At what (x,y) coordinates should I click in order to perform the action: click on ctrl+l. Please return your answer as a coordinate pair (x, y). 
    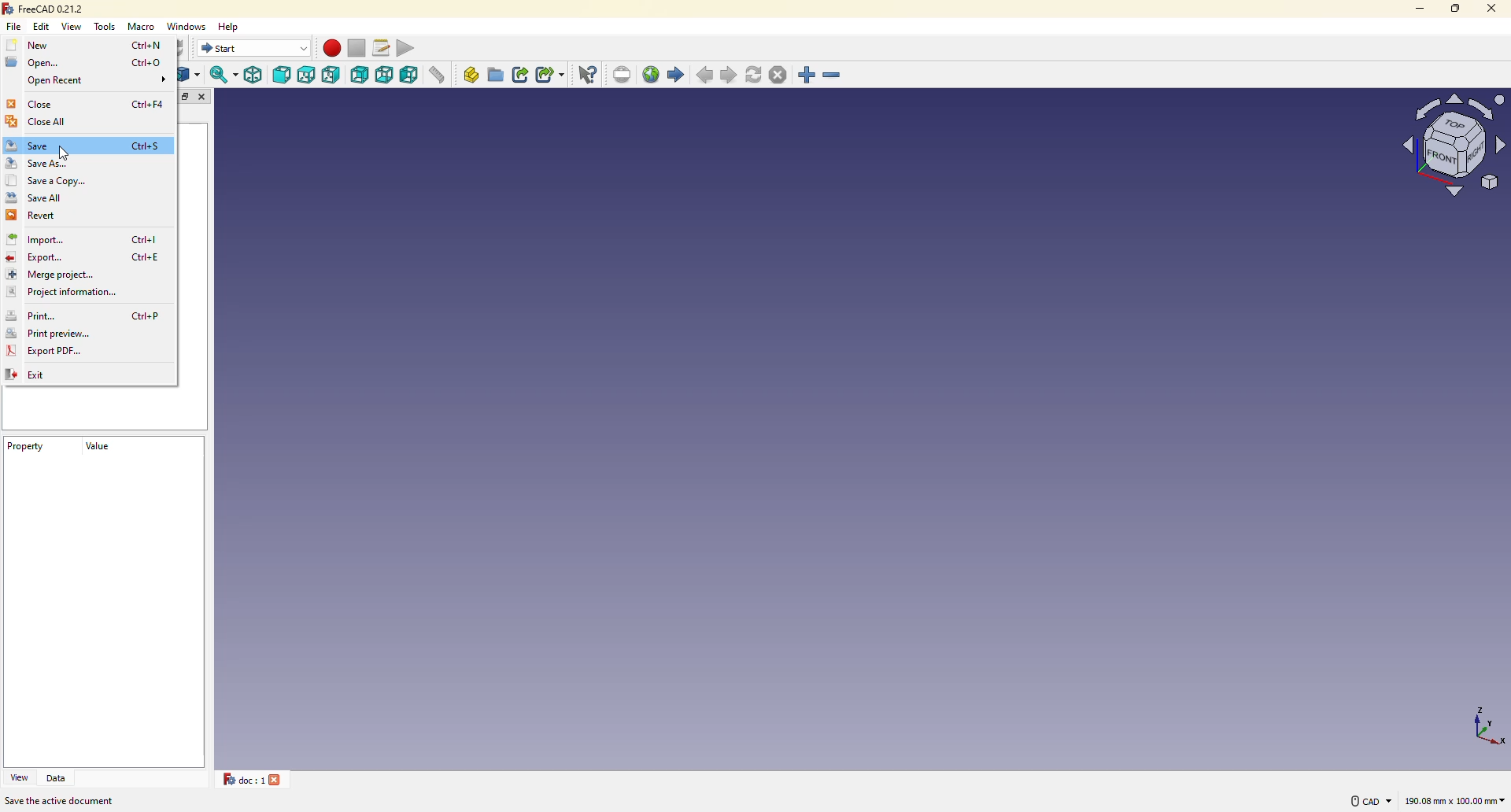
    Looking at the image, I should click on (146, 240).